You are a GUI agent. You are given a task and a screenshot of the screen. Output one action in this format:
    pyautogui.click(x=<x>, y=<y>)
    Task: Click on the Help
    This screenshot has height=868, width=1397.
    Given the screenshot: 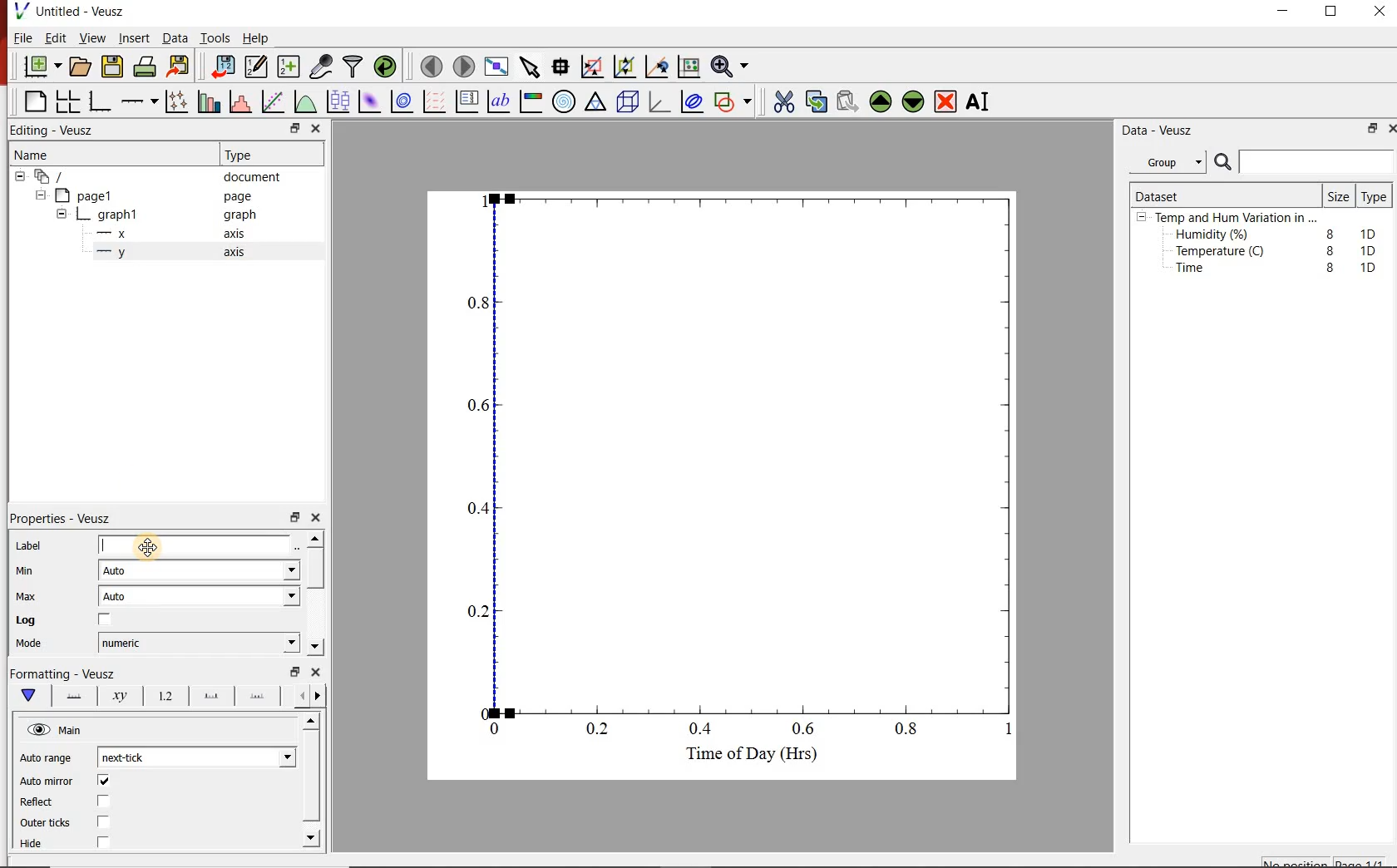 What is the action you would take?
    pyautogui.click(x=257, y=37)
    